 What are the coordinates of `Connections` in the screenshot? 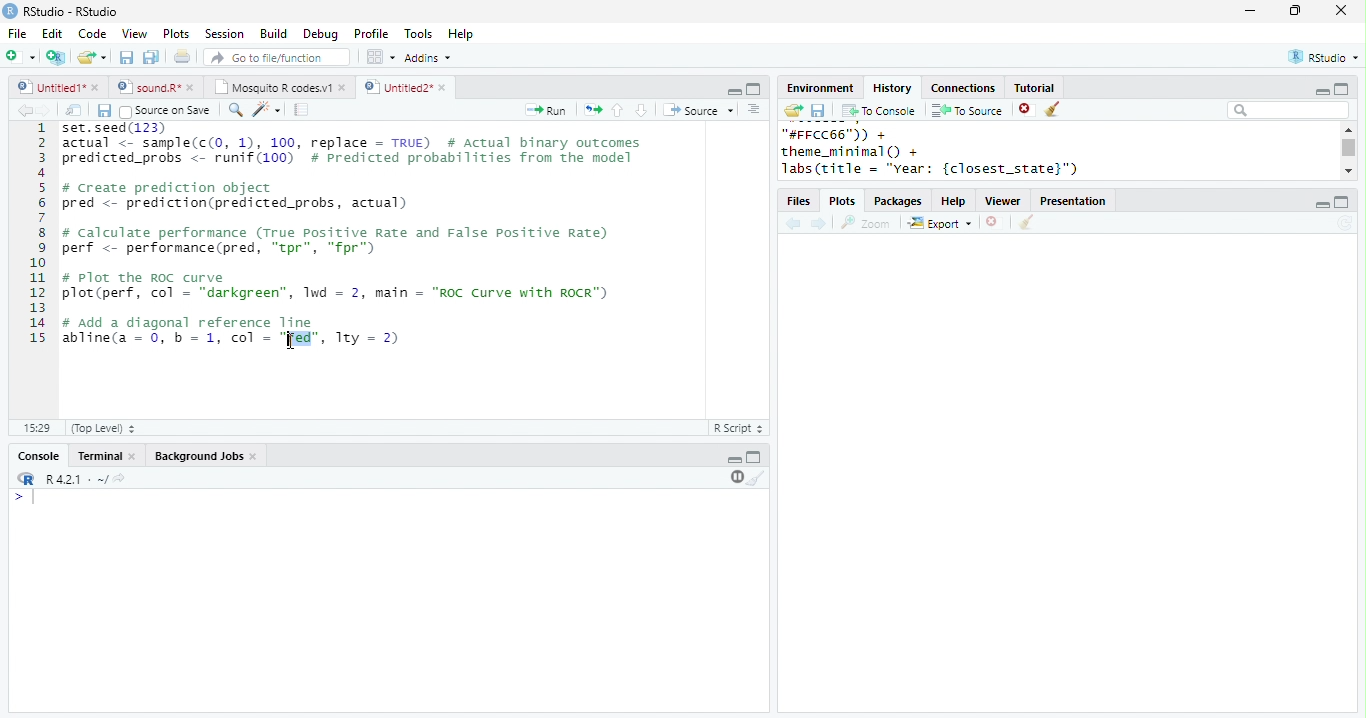 It's located at (962, 88).